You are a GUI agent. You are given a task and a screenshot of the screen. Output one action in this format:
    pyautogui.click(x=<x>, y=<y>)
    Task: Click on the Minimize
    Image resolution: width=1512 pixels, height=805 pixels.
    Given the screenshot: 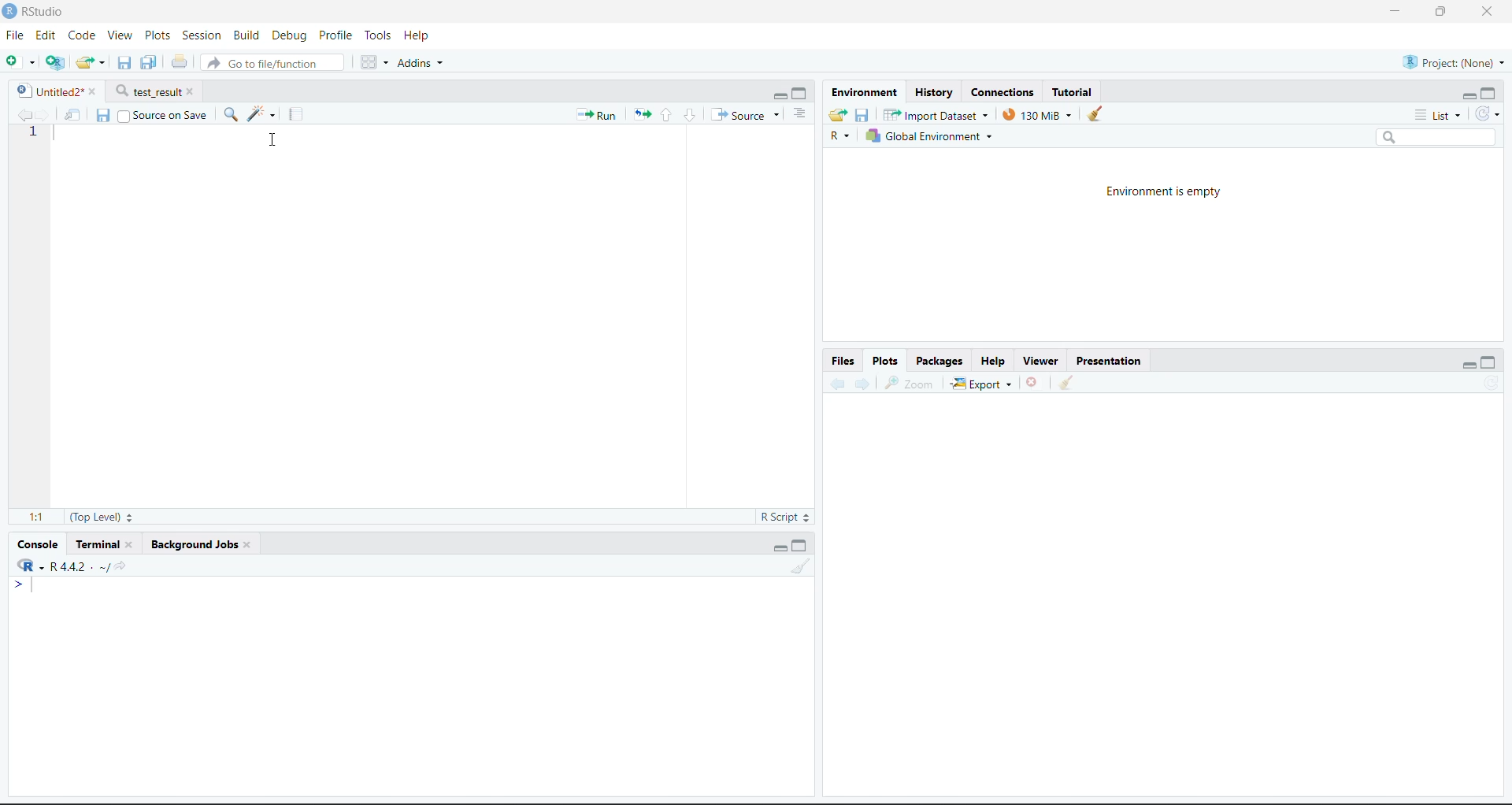 What is the action you would take?
    pyautogui.click(x=1459, y=94)
    